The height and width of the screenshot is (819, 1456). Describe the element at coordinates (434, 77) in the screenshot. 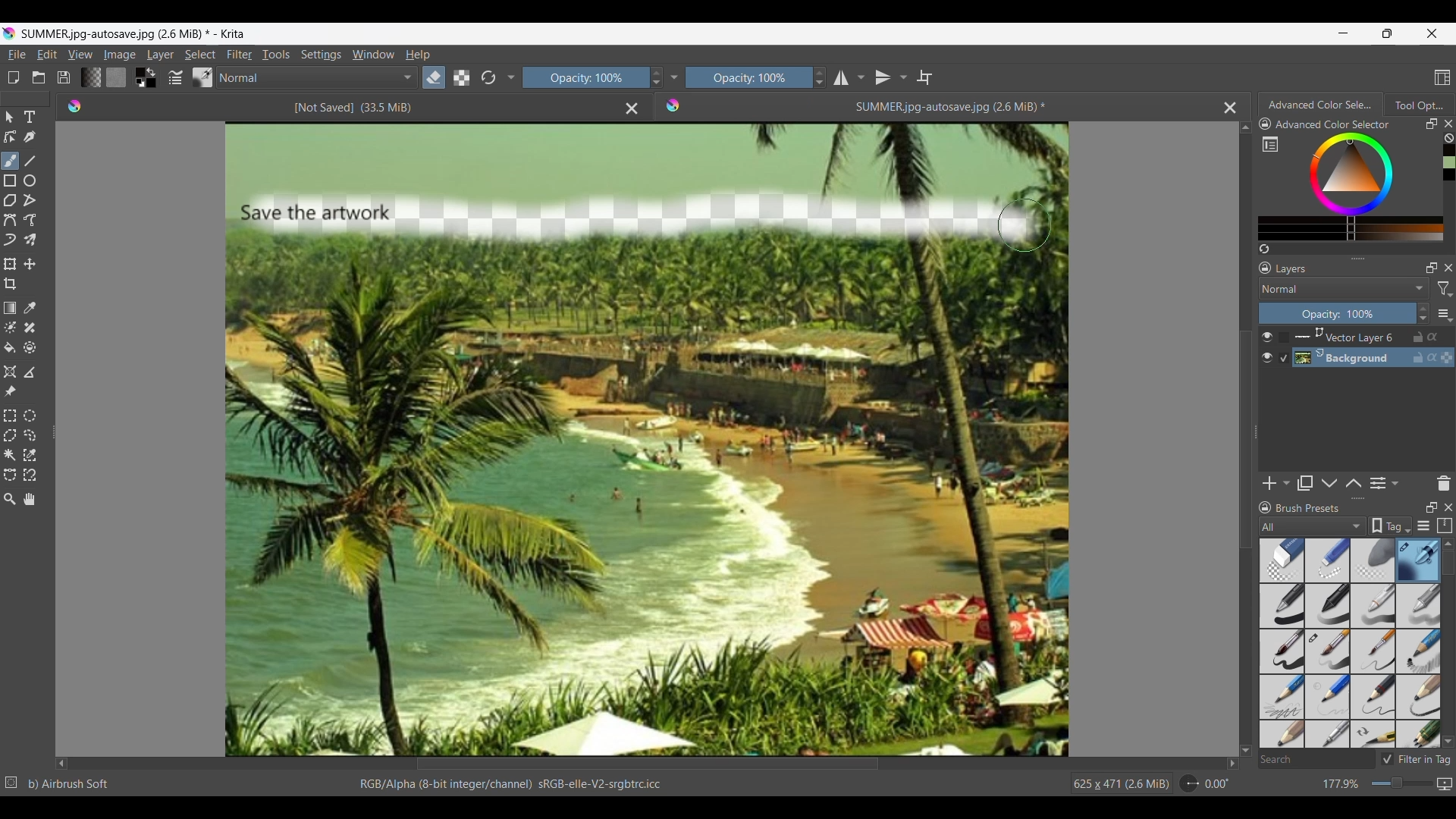

I see `Set eraser mode` at that location.